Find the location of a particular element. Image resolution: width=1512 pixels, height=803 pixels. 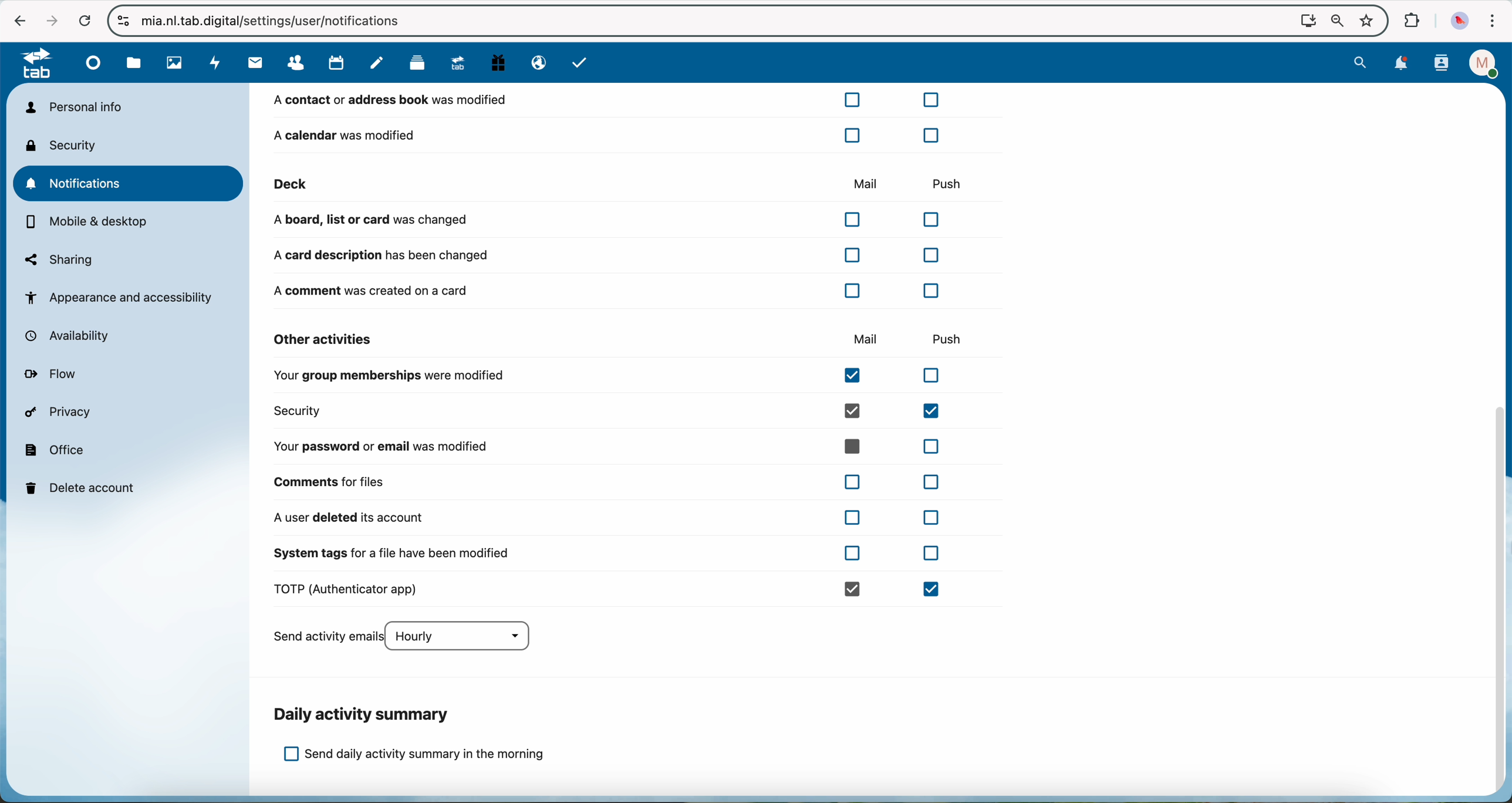

TOTP (authenticator app) is located at coordinates (612, 590).